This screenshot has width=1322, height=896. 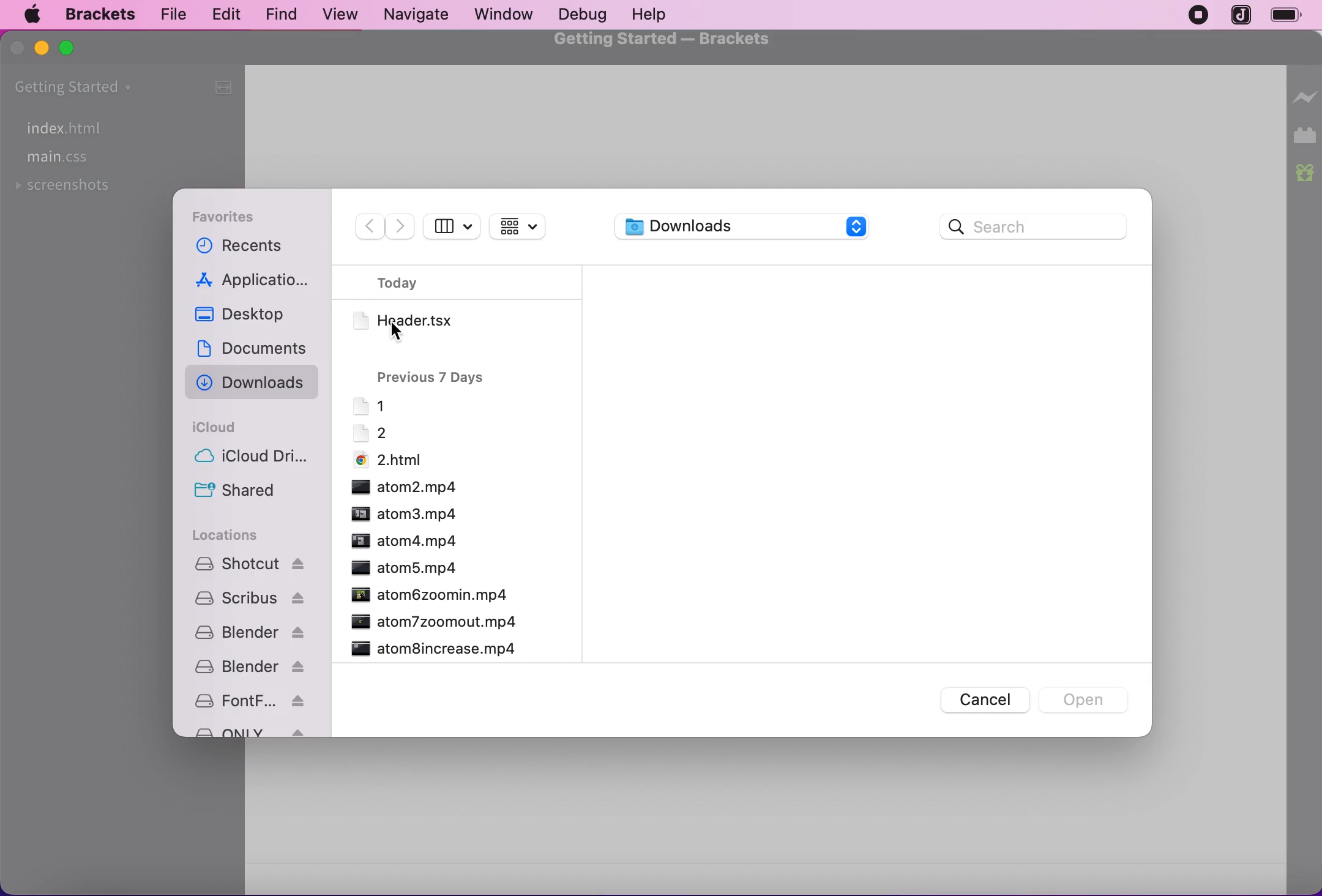 I want to click on maximize app, so click(x=68, y=49).